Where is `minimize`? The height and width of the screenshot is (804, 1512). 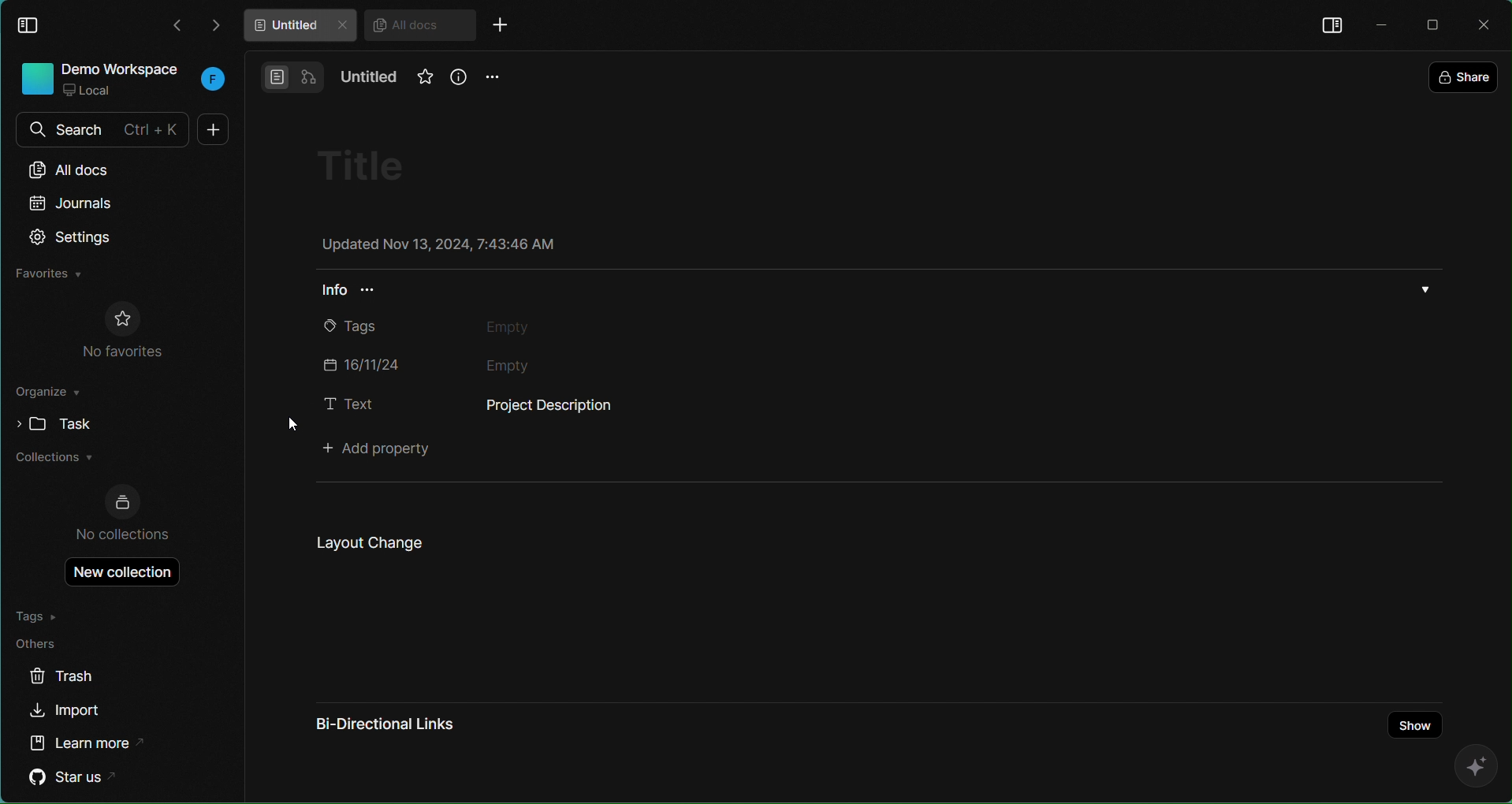 minimize is located at coordinates (1380, 22).